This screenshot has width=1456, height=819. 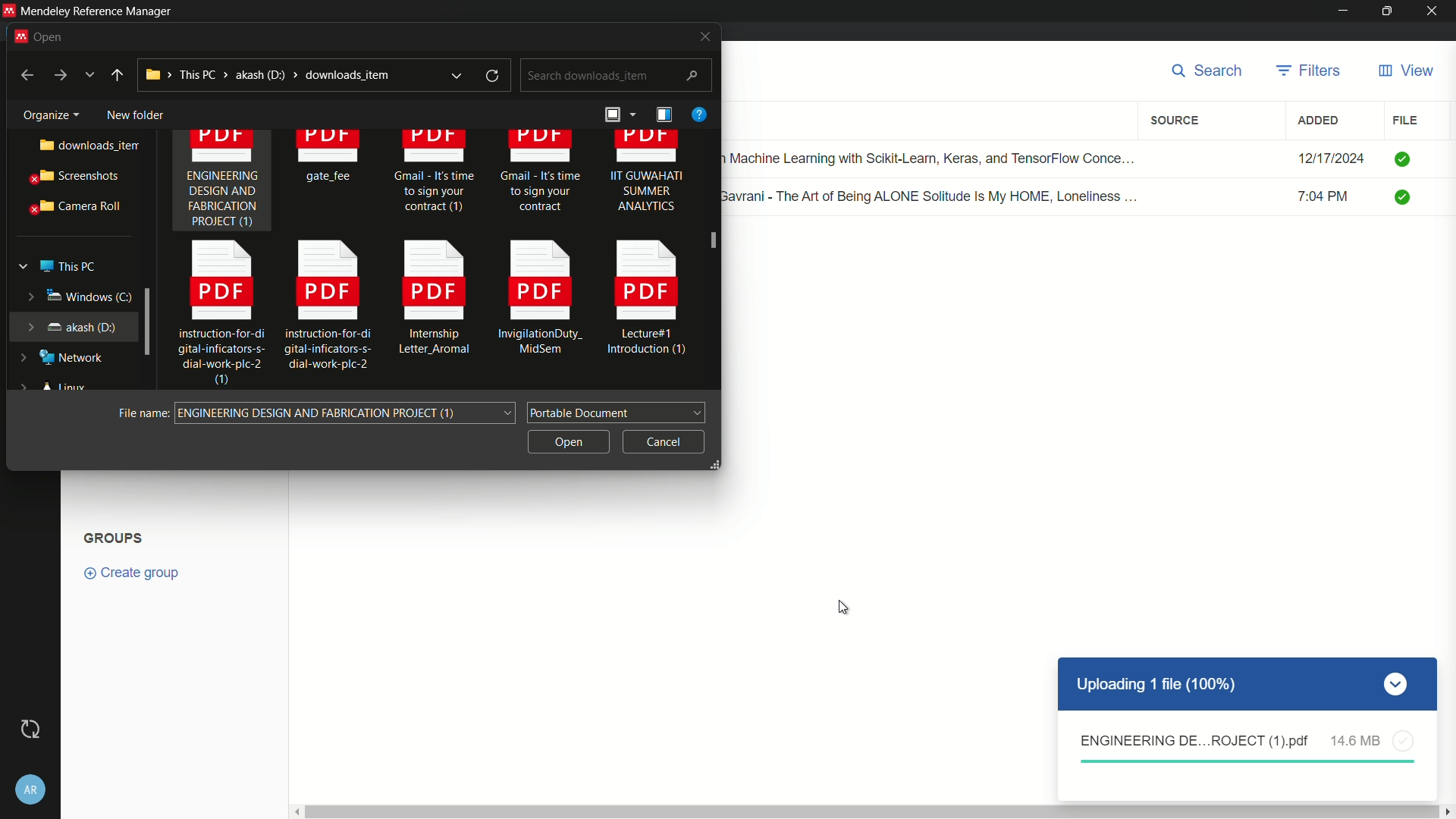 What do you see at coordinates (143, 413) in the screenshot?
I see `file name` at bounding box center [143, 413].